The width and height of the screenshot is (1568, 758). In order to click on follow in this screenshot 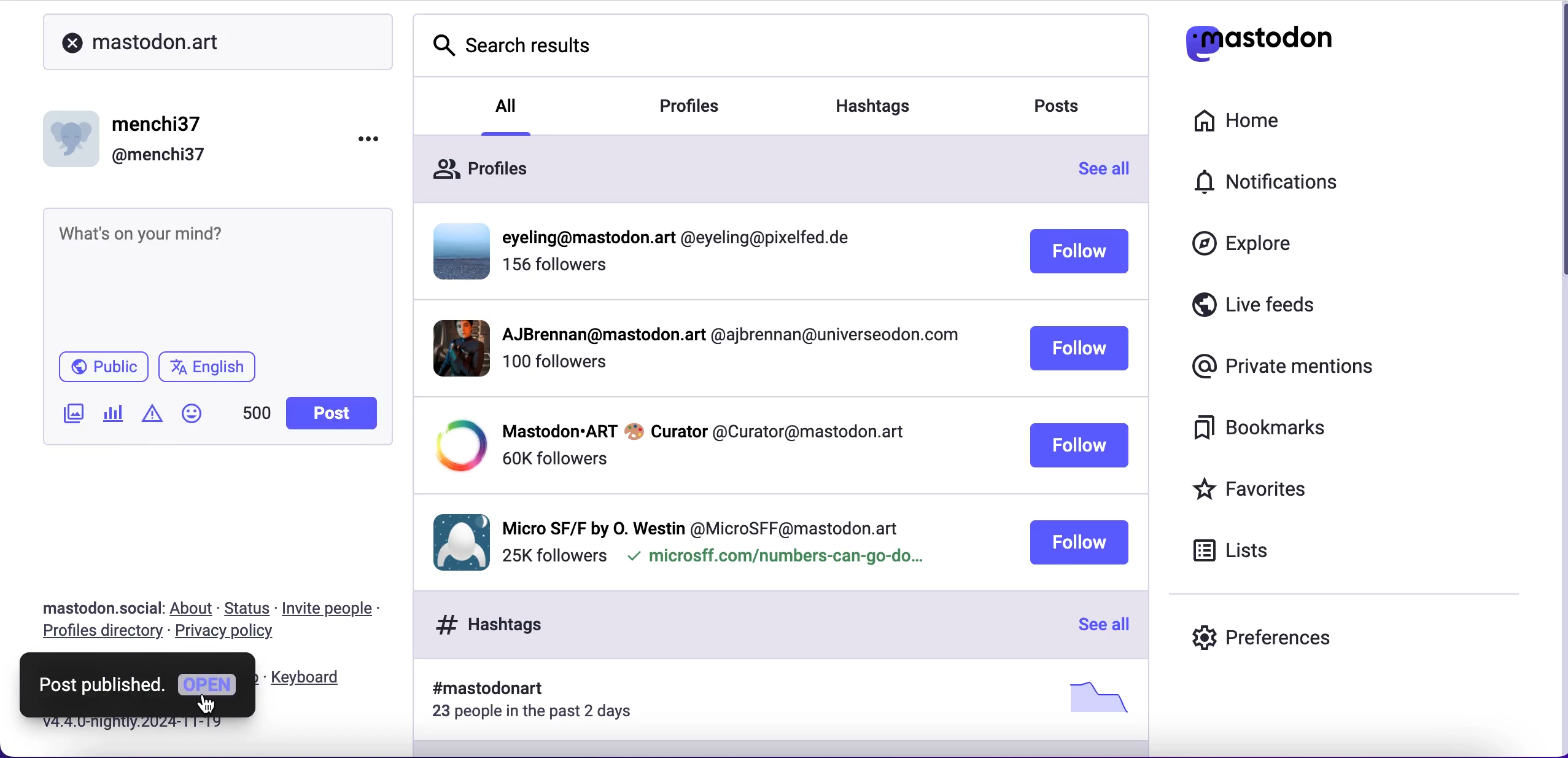, I will do `click(1079, 446)`.